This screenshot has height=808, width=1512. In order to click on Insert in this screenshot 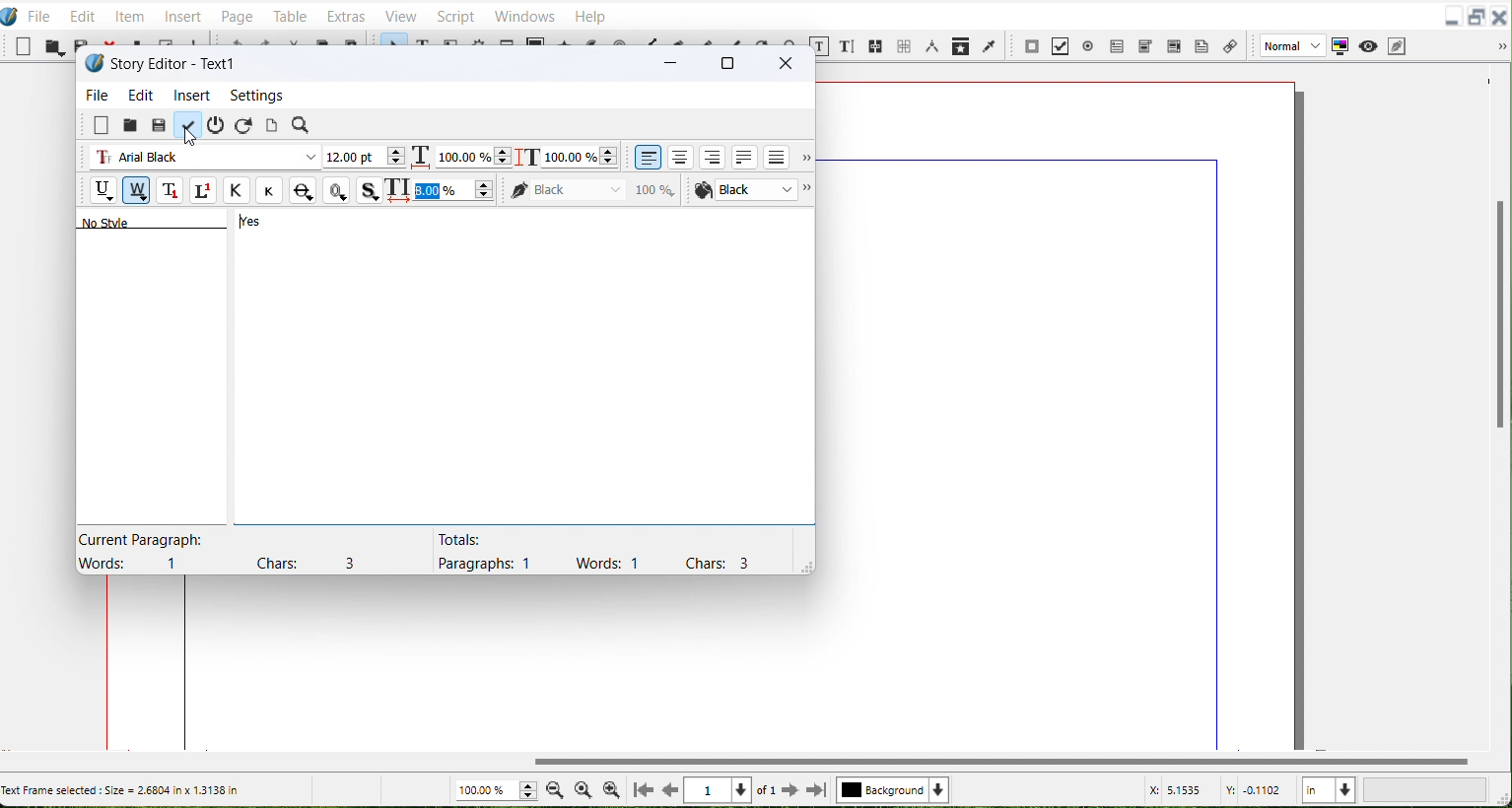, I will do `click(191, 96)`.